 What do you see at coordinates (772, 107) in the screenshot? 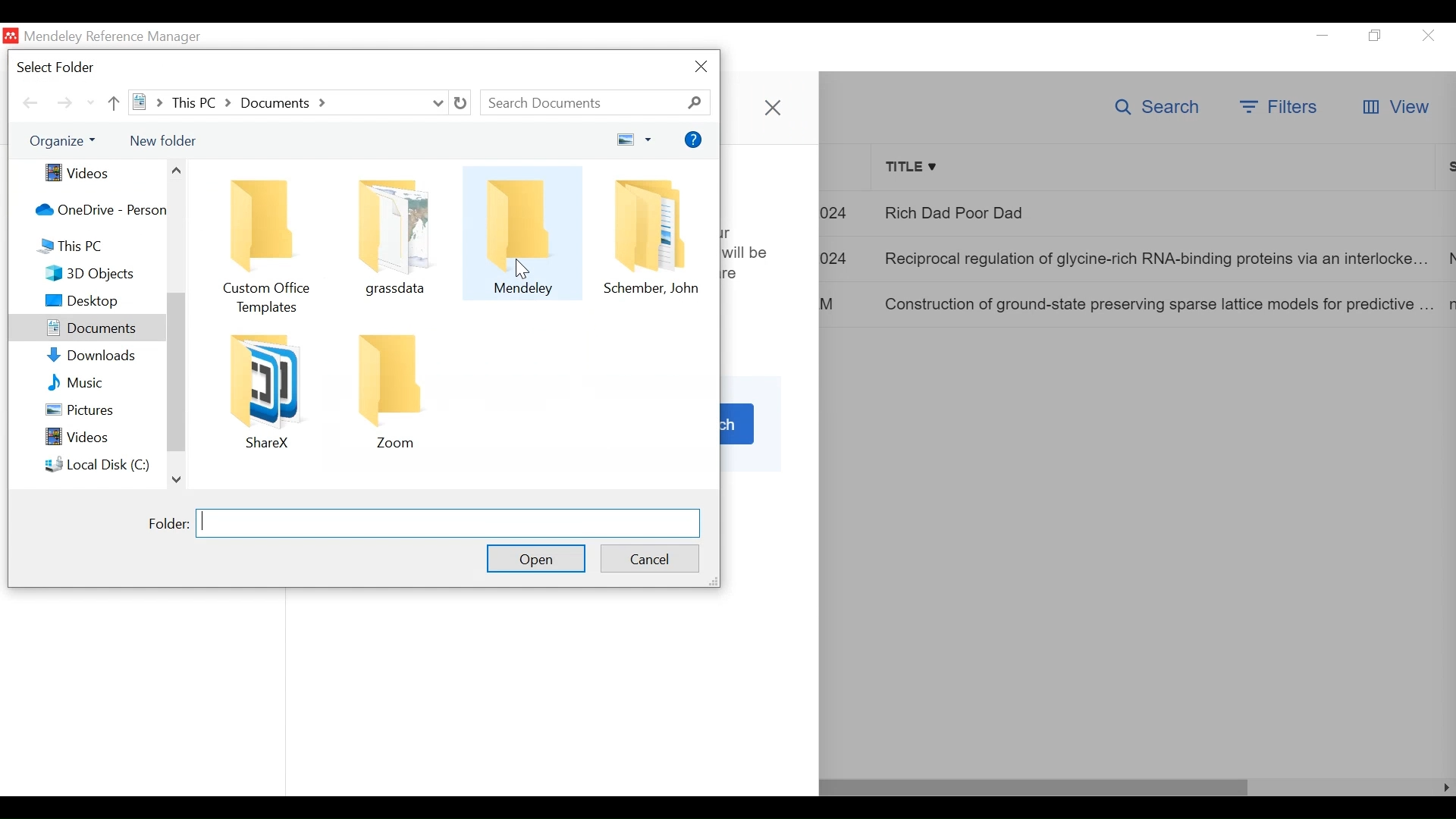
I see `Close` at bounding box center [772, 107].